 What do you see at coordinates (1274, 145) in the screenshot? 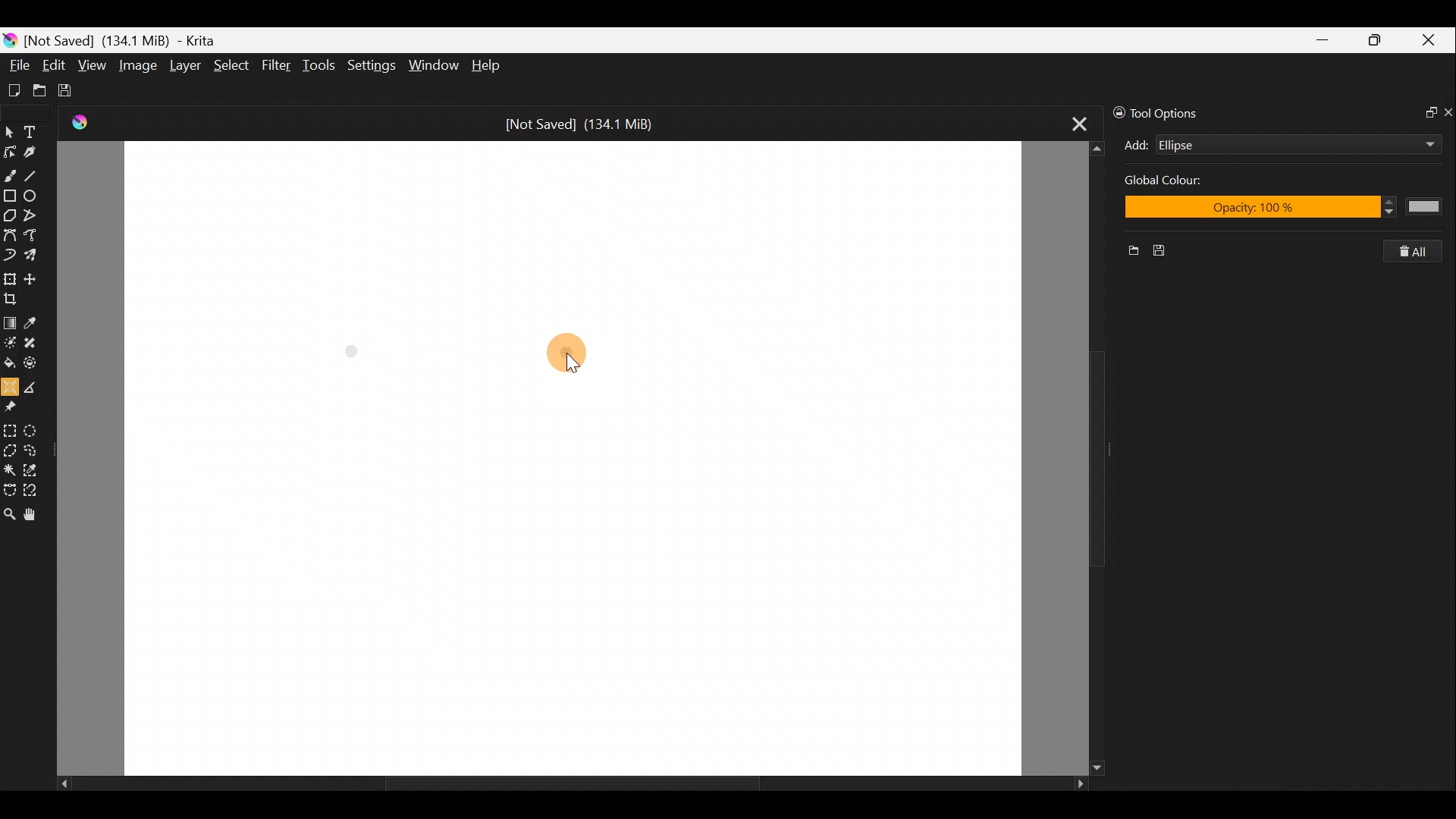
I see `Ellipse` at bounding box center [1274, 145].